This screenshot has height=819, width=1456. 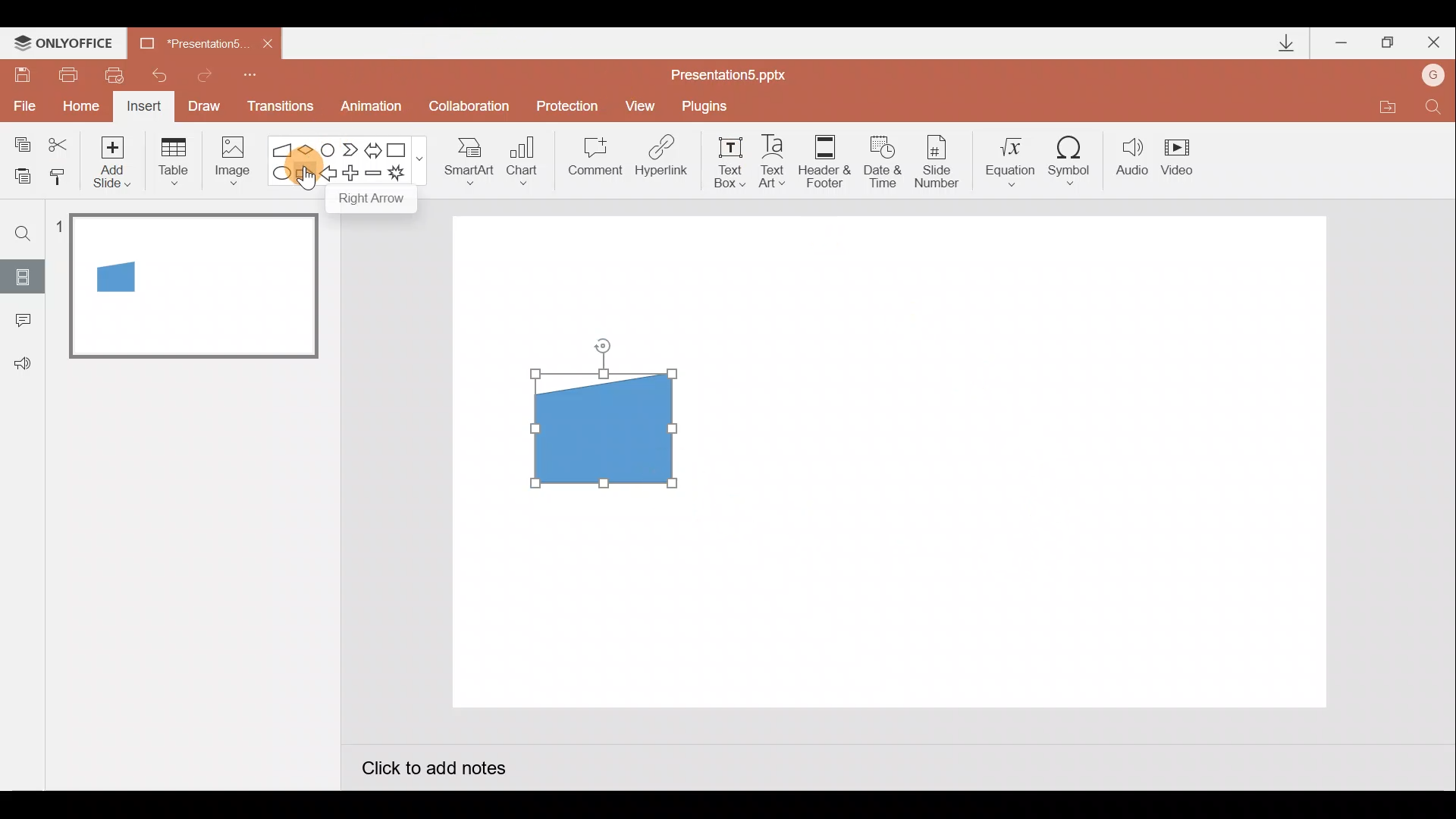 What do you see at coordinates (1284, 44) in the screenshot?
I see `Downloads` at bounding box center [1284, 44].